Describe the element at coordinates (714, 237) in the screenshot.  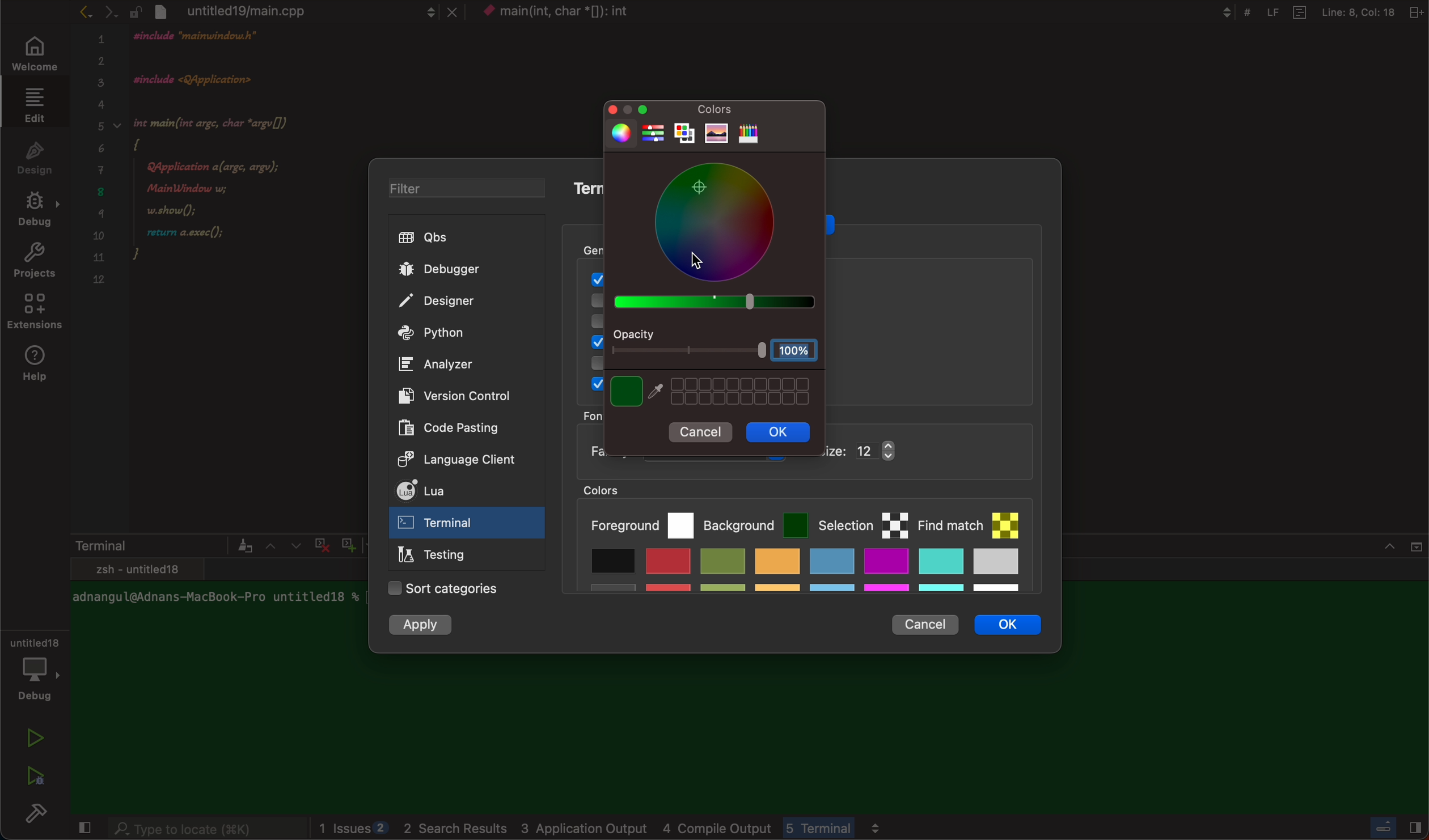
I see `color picker` at that location.